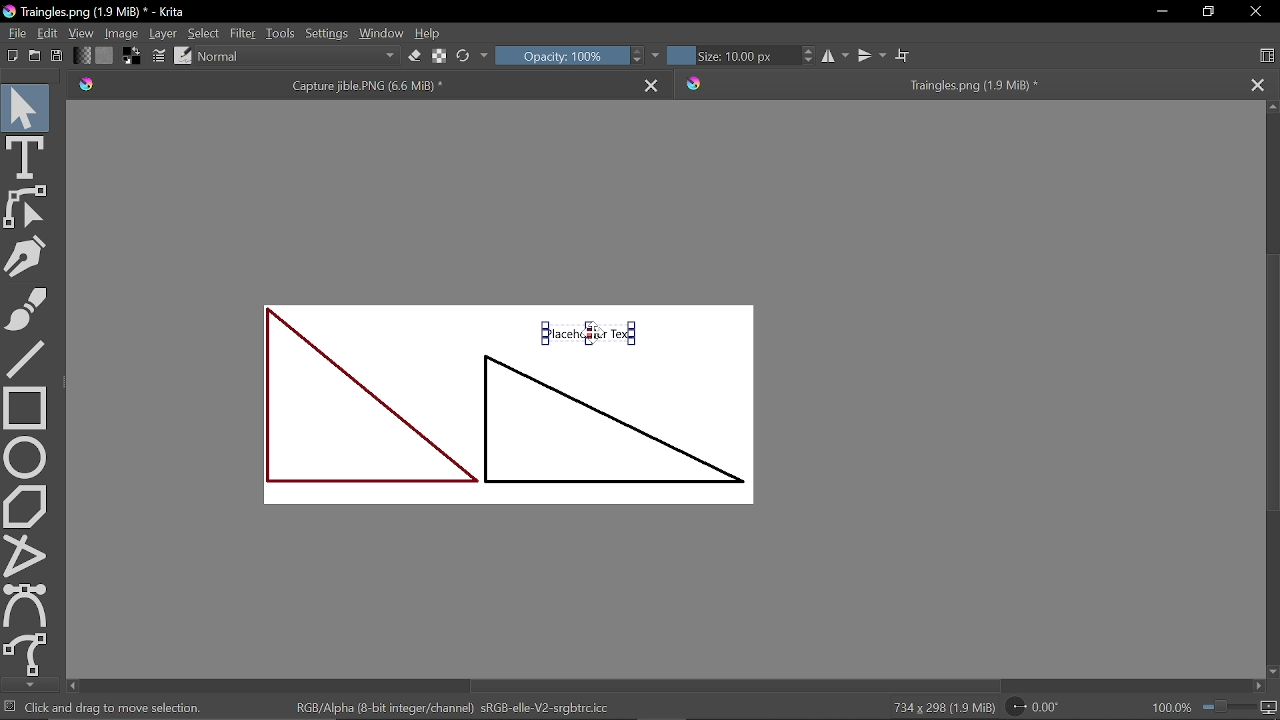 This screenshot has height=720, width=1280. Describe the element at coordinates (514, 419) in the screenshot. I see `Placeholder Text` at that location.